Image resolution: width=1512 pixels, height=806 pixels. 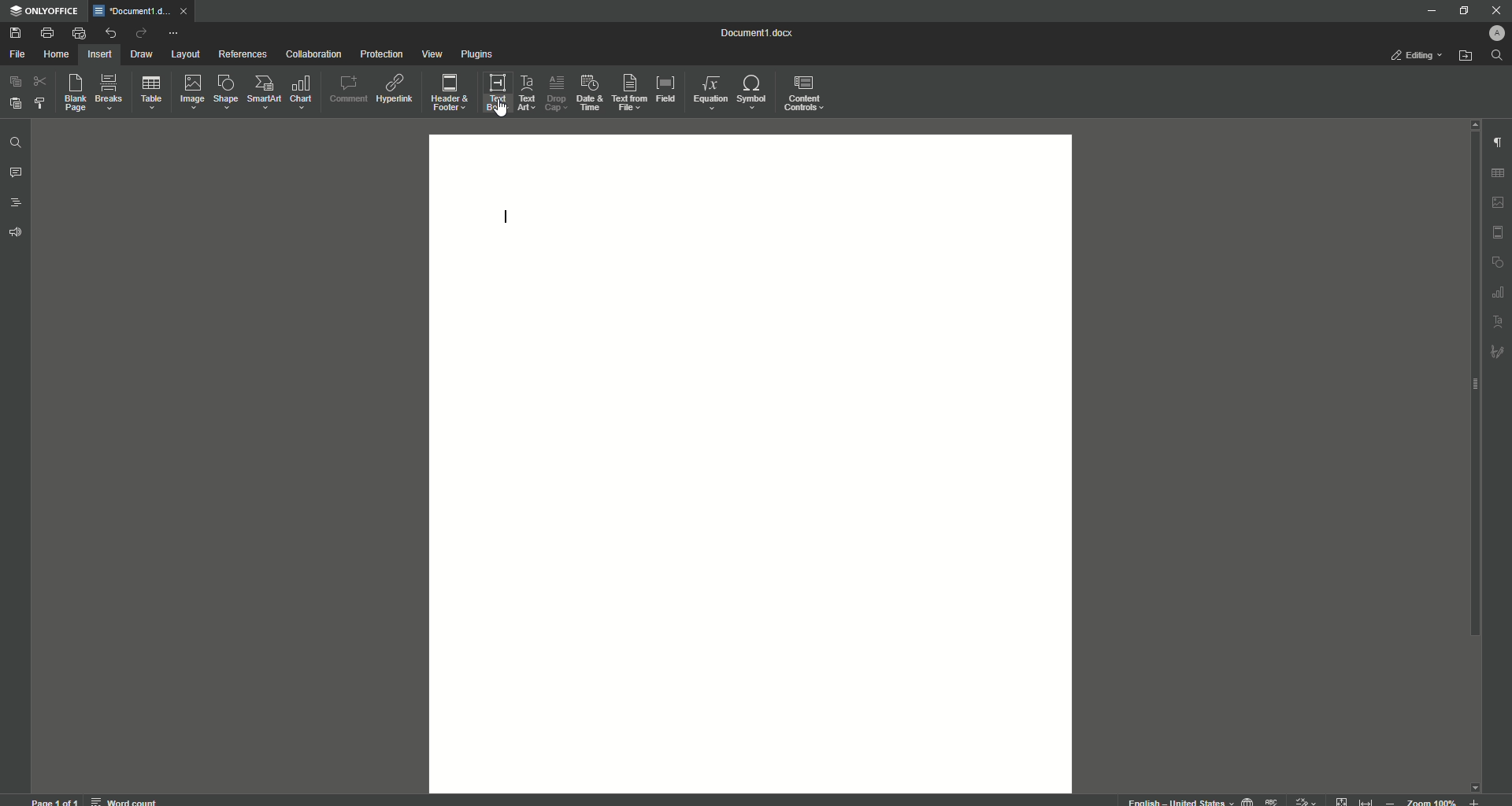 What do you see at coordinates (1343, 800) in the screenshot?
I see `fit to page` at bounding box center [1343, 800].